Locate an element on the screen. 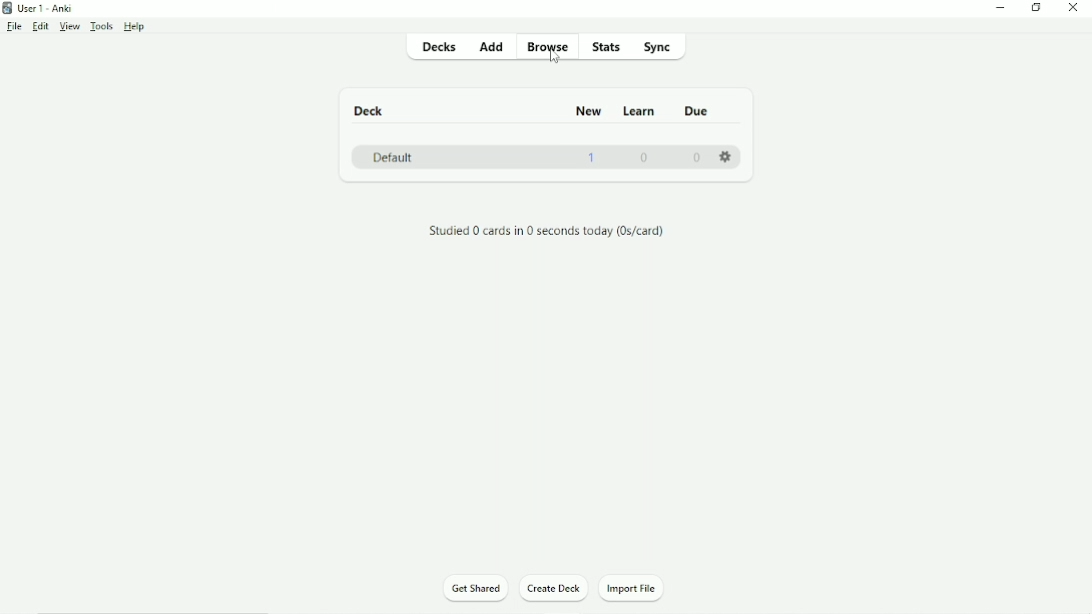 The image size is (1092, 614). Settings is located at coordinates (727, 157).